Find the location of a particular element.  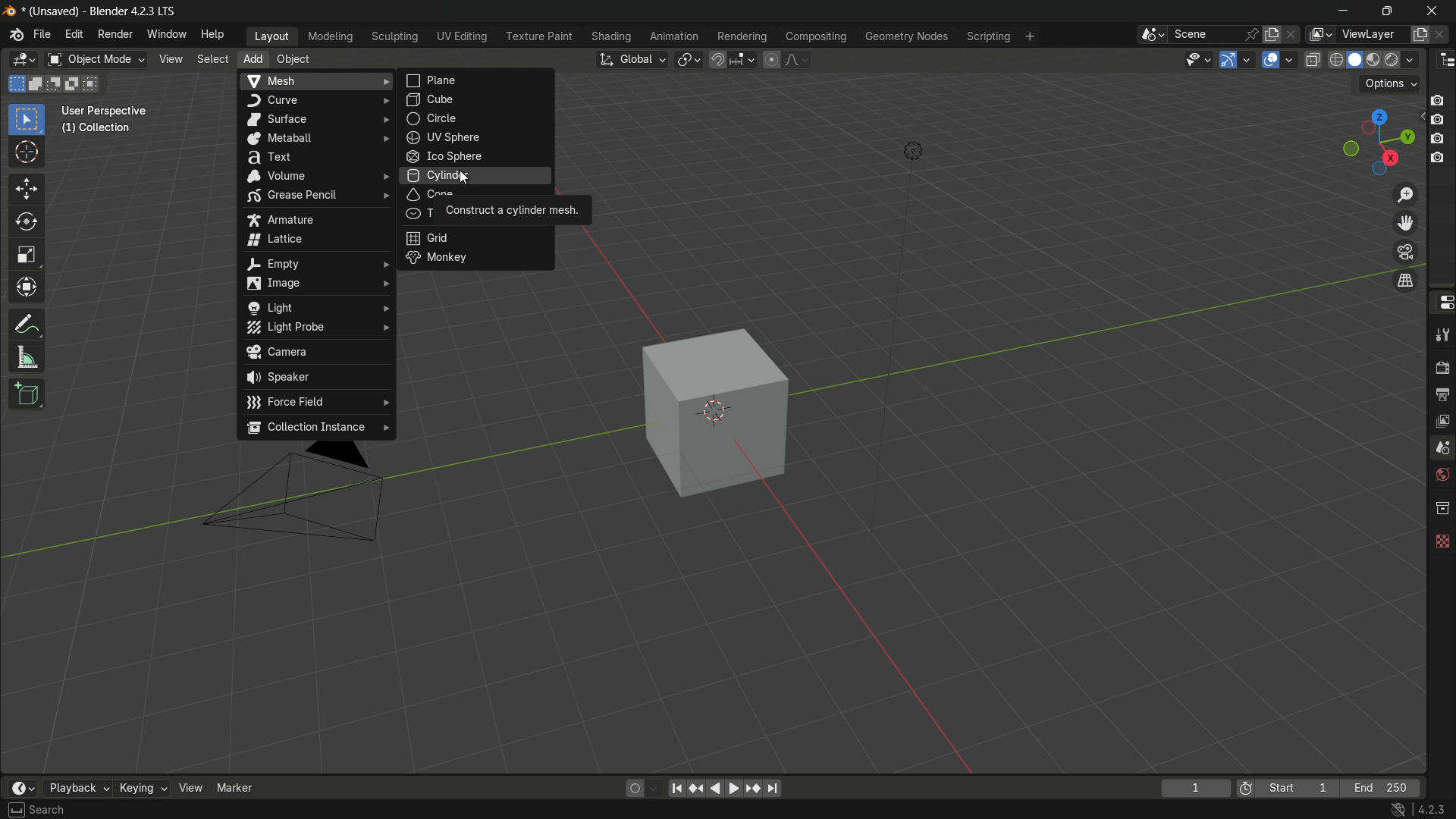

uv sphere is located at coordinates (476, 137).